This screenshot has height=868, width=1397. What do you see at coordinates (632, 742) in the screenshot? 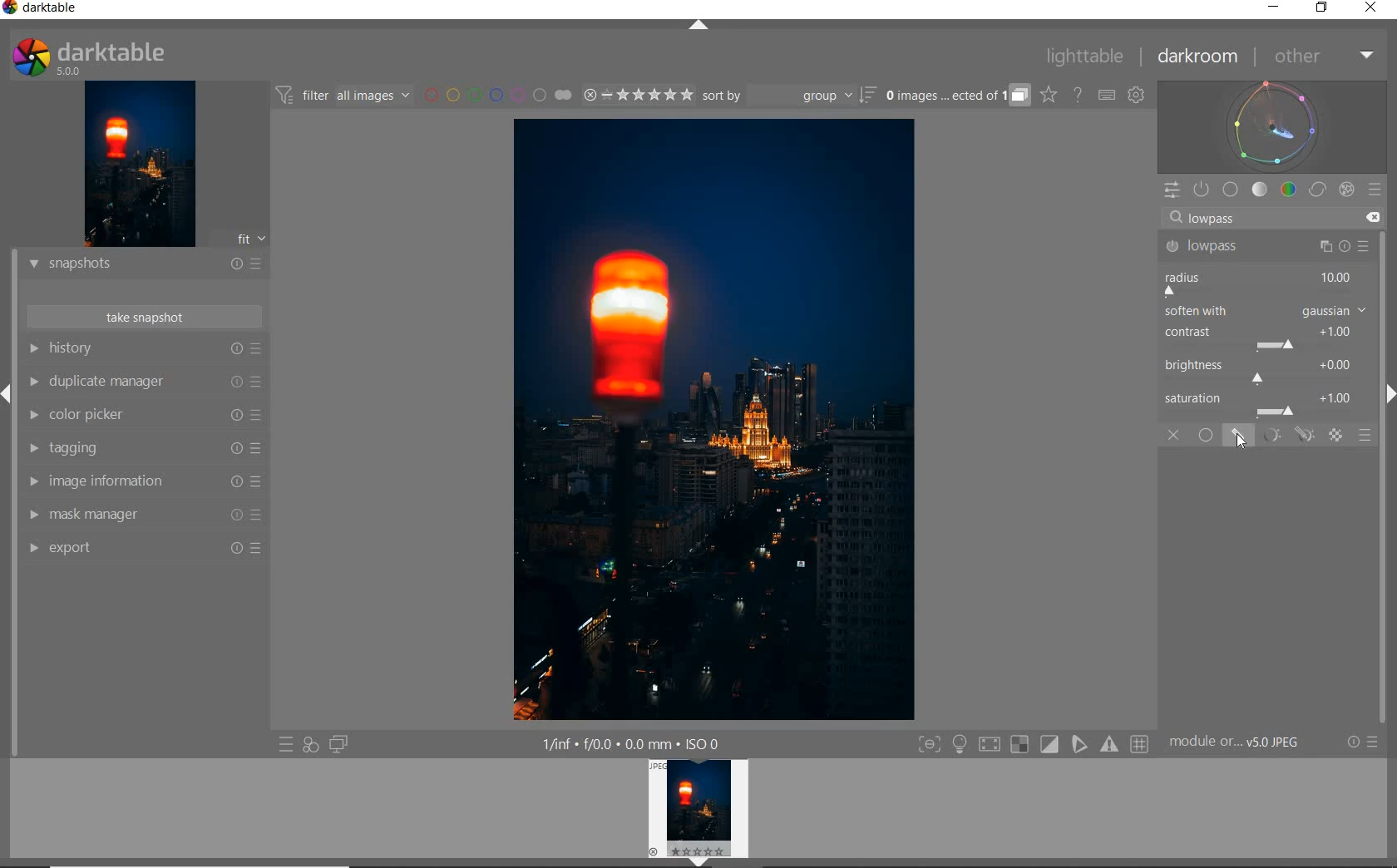
I see `DISPLAYED GUI INFO` at bounding box center [632, 742].